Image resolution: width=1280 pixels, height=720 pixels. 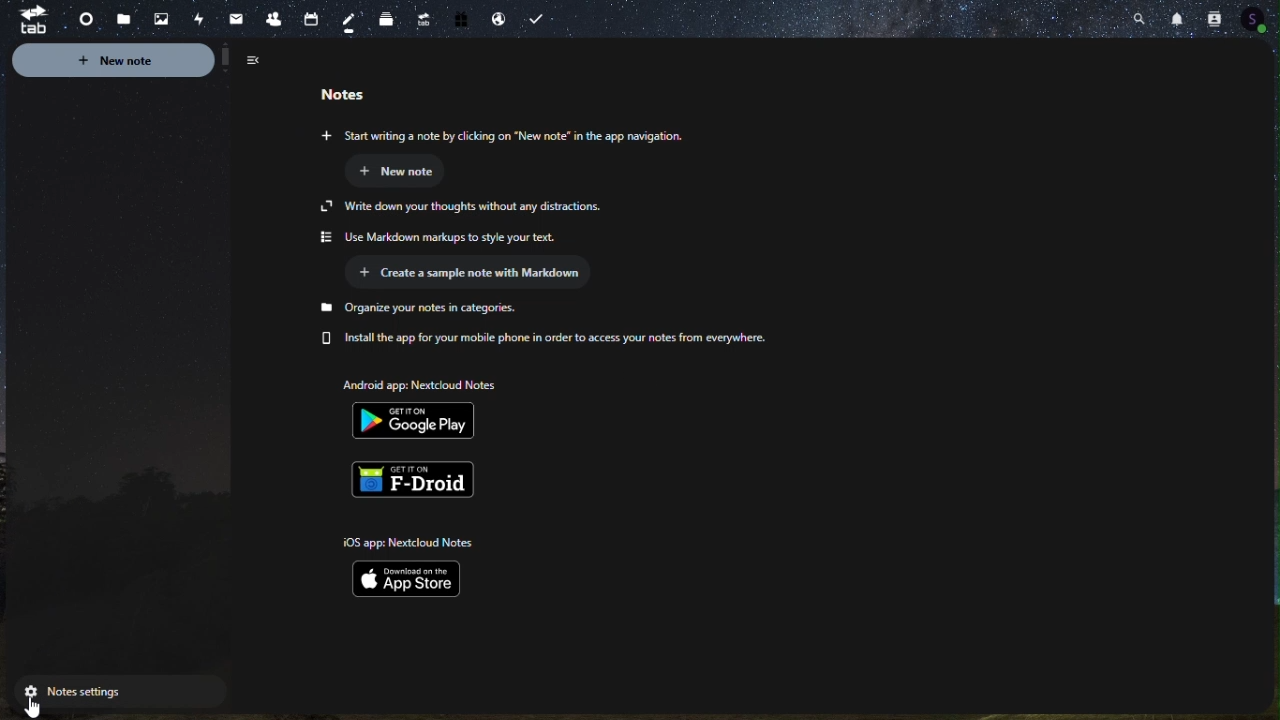 I want to click on Note settings, so click(x=114, y=694).